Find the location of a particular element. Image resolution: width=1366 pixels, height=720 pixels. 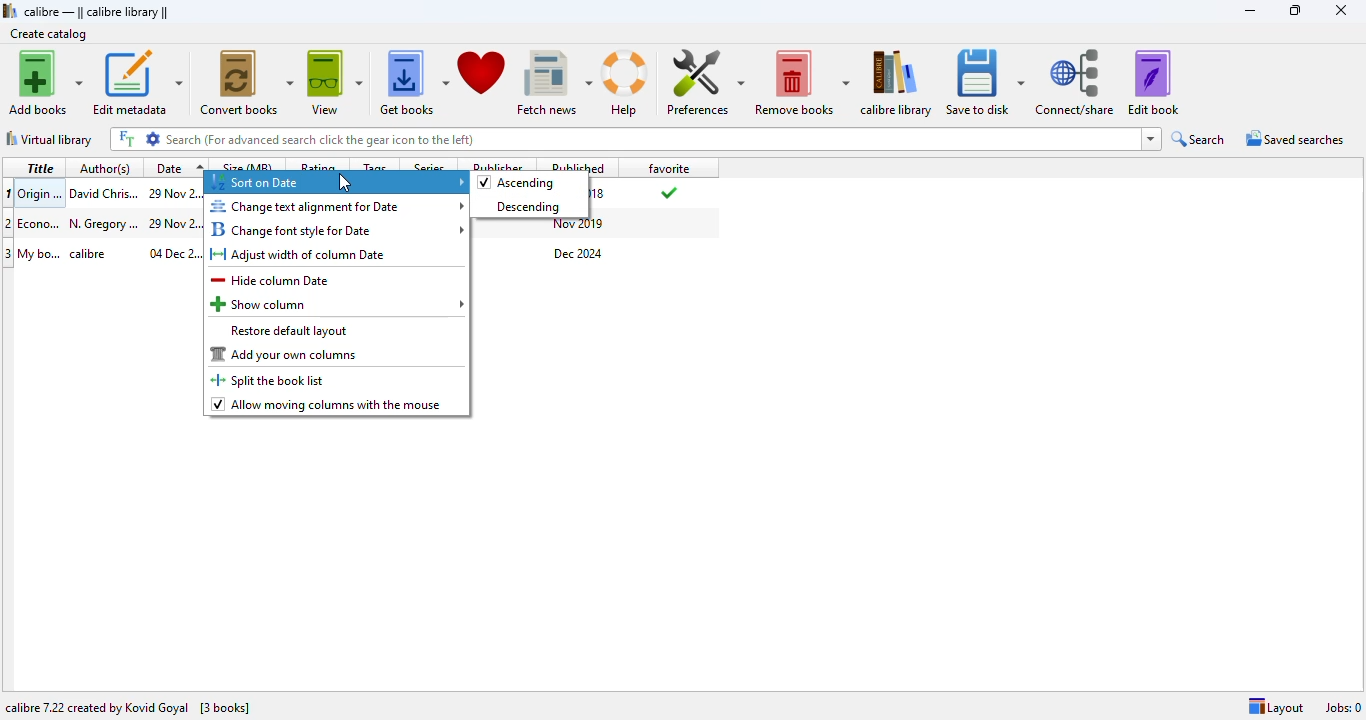

connect/share is located at coordinates (1074, 82).